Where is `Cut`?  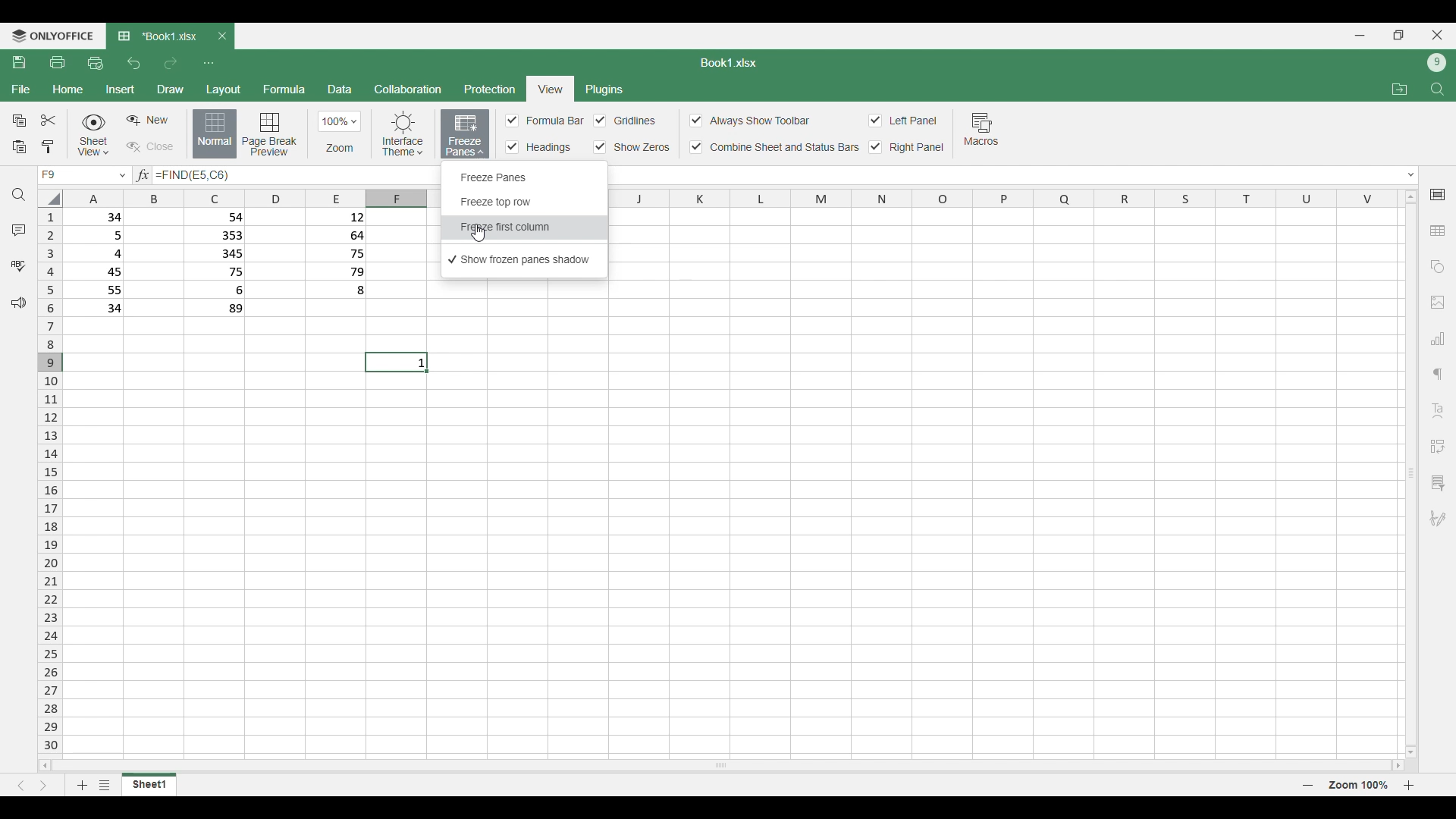
Cut is located at coordinates (48, 120).